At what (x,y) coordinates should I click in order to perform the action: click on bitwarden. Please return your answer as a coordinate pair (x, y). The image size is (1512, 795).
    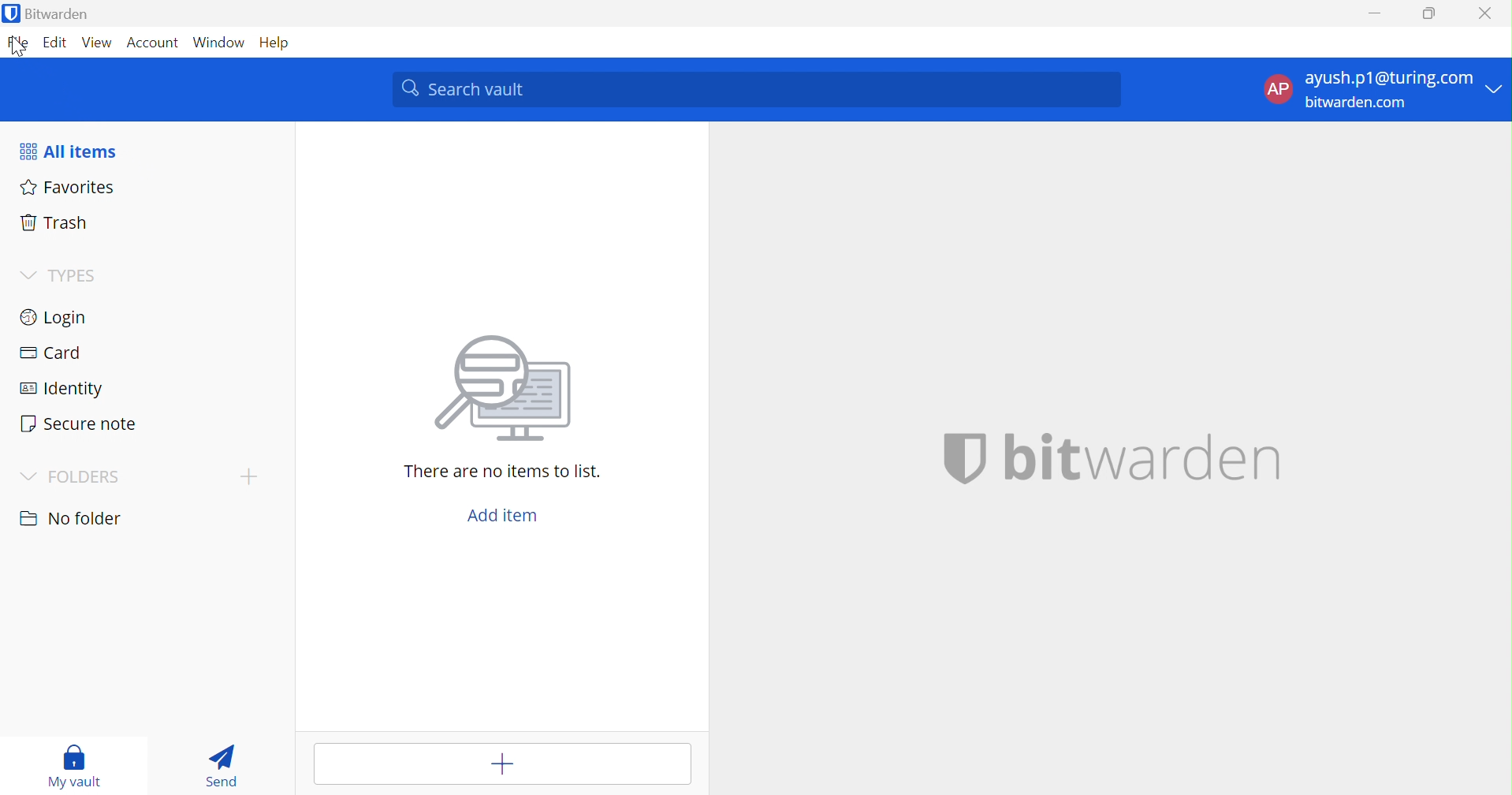
    Looking at the image, I should click on (1144, 457).